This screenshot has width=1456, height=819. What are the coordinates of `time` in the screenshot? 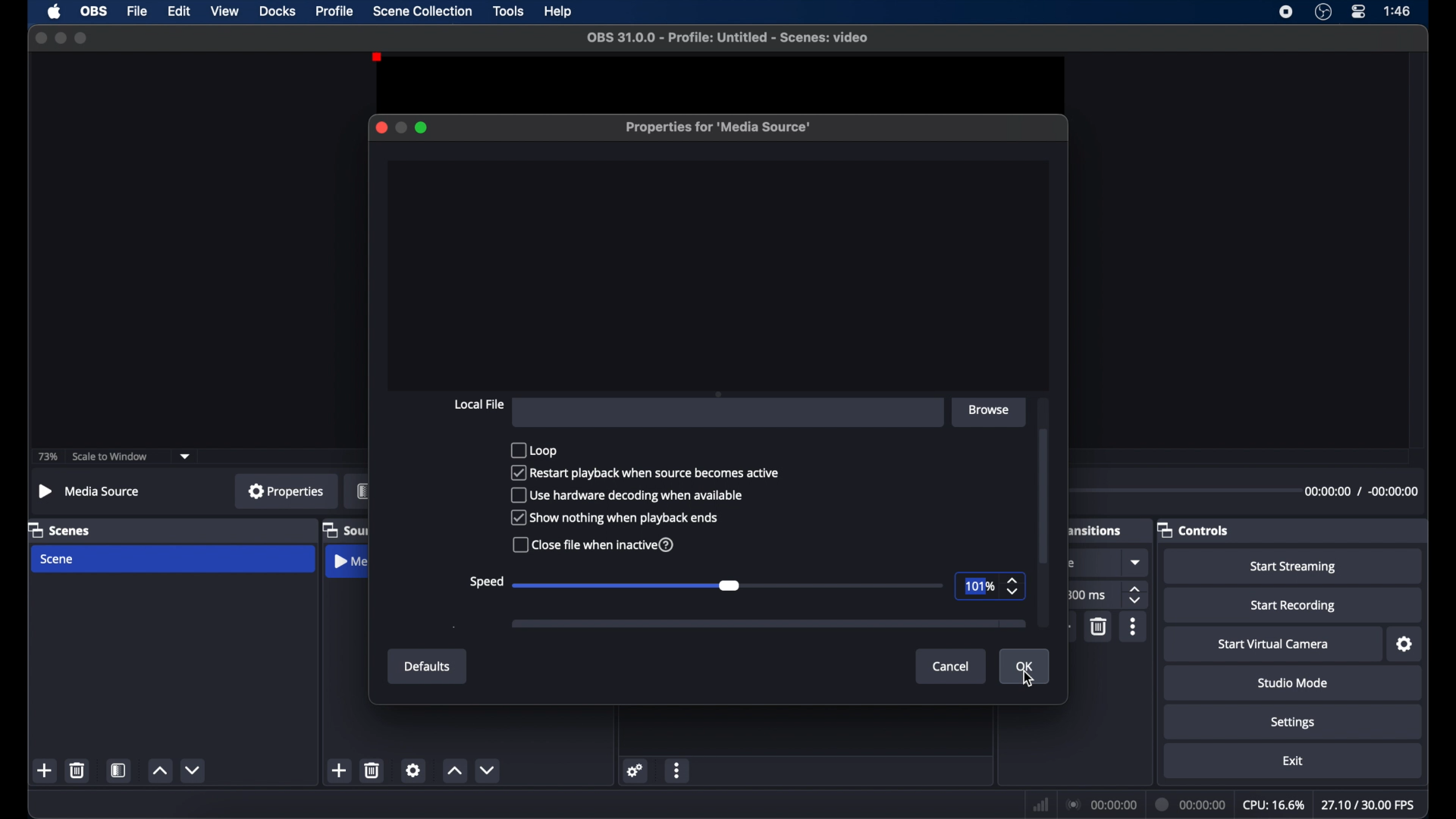 It's located at (1398, 10).